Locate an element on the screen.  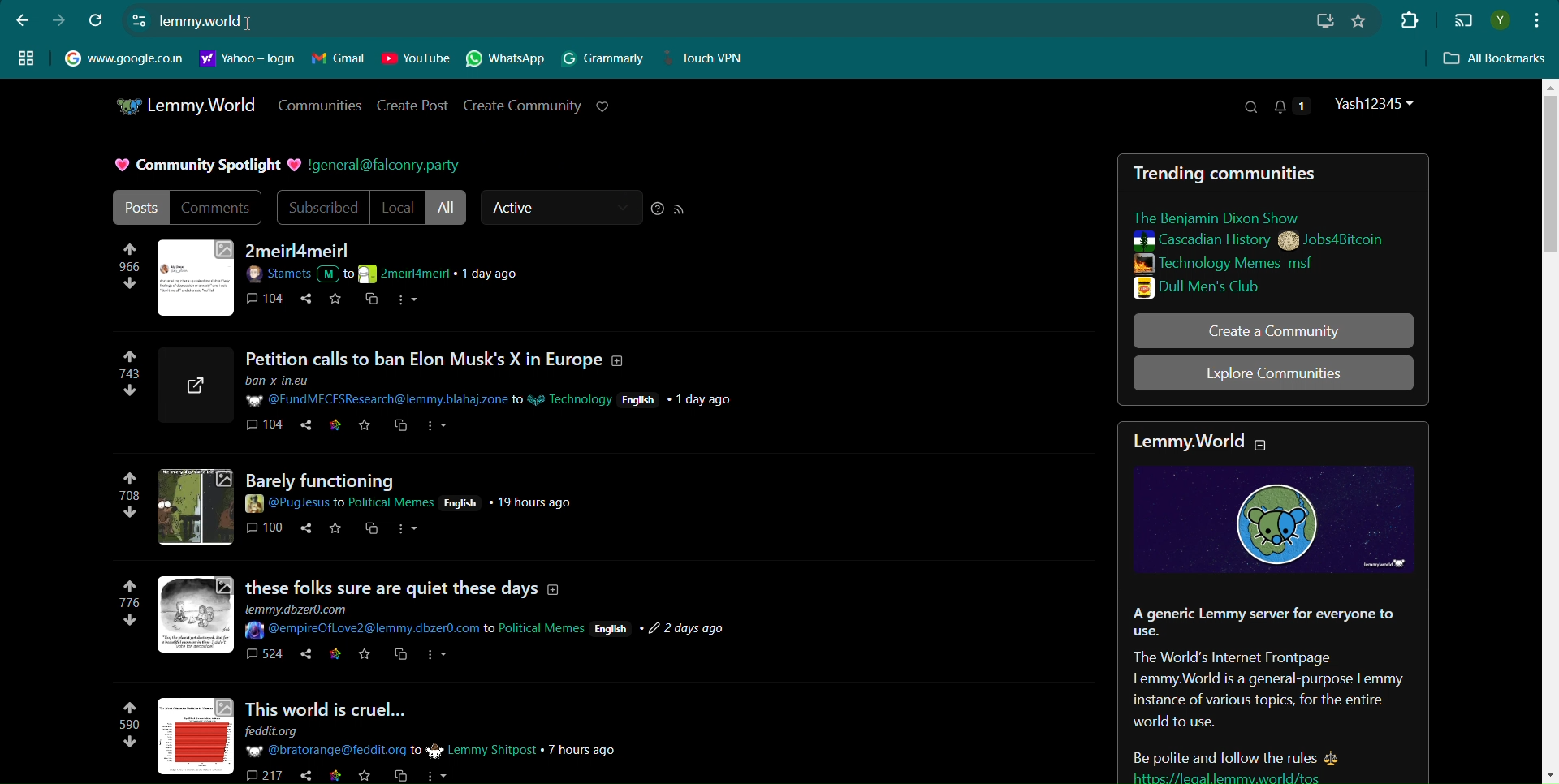
All Bookmarks is located at coordinates (1496, 59).